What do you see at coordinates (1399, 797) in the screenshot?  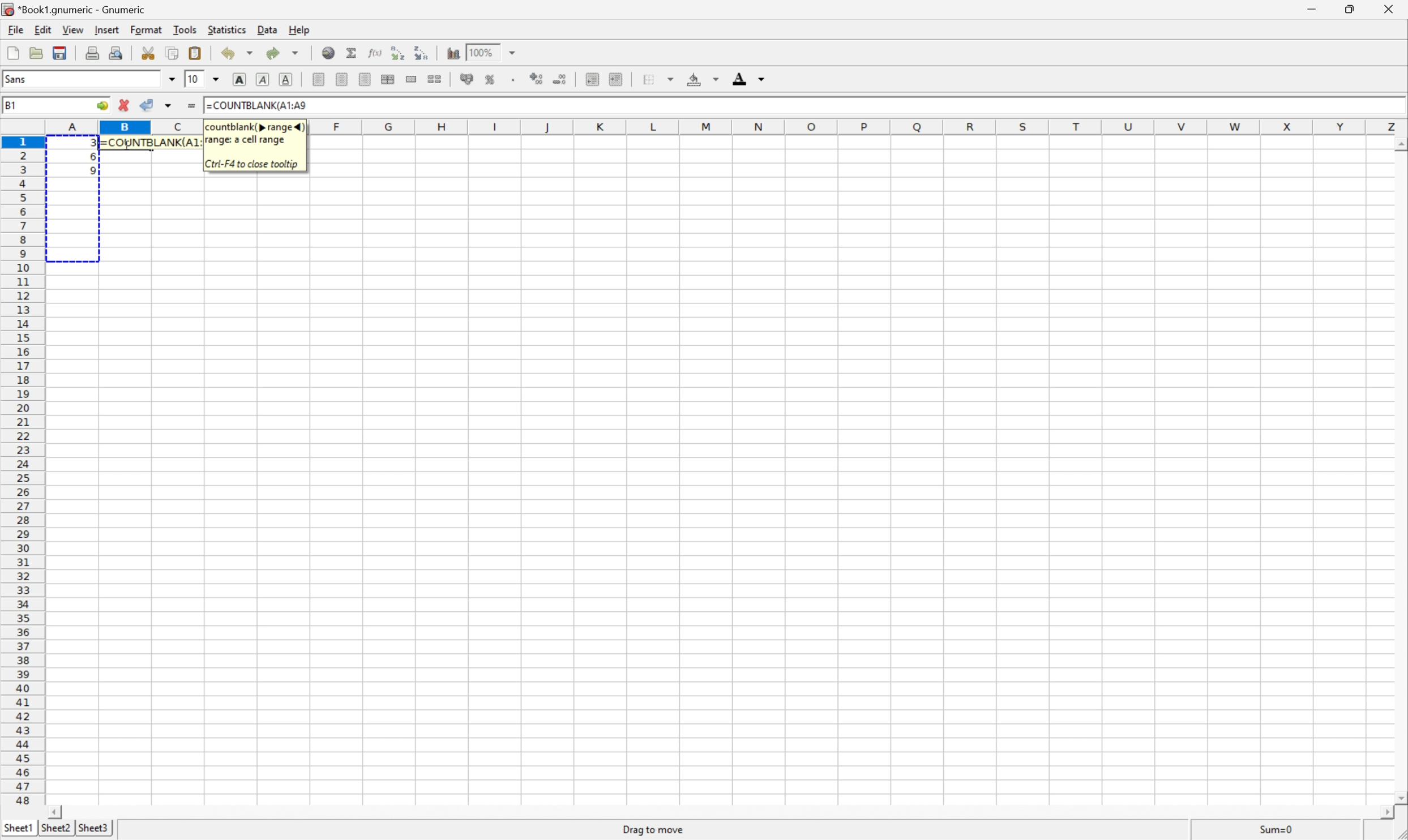 I see `Scroll Down` at bounding box center [1399, 797].